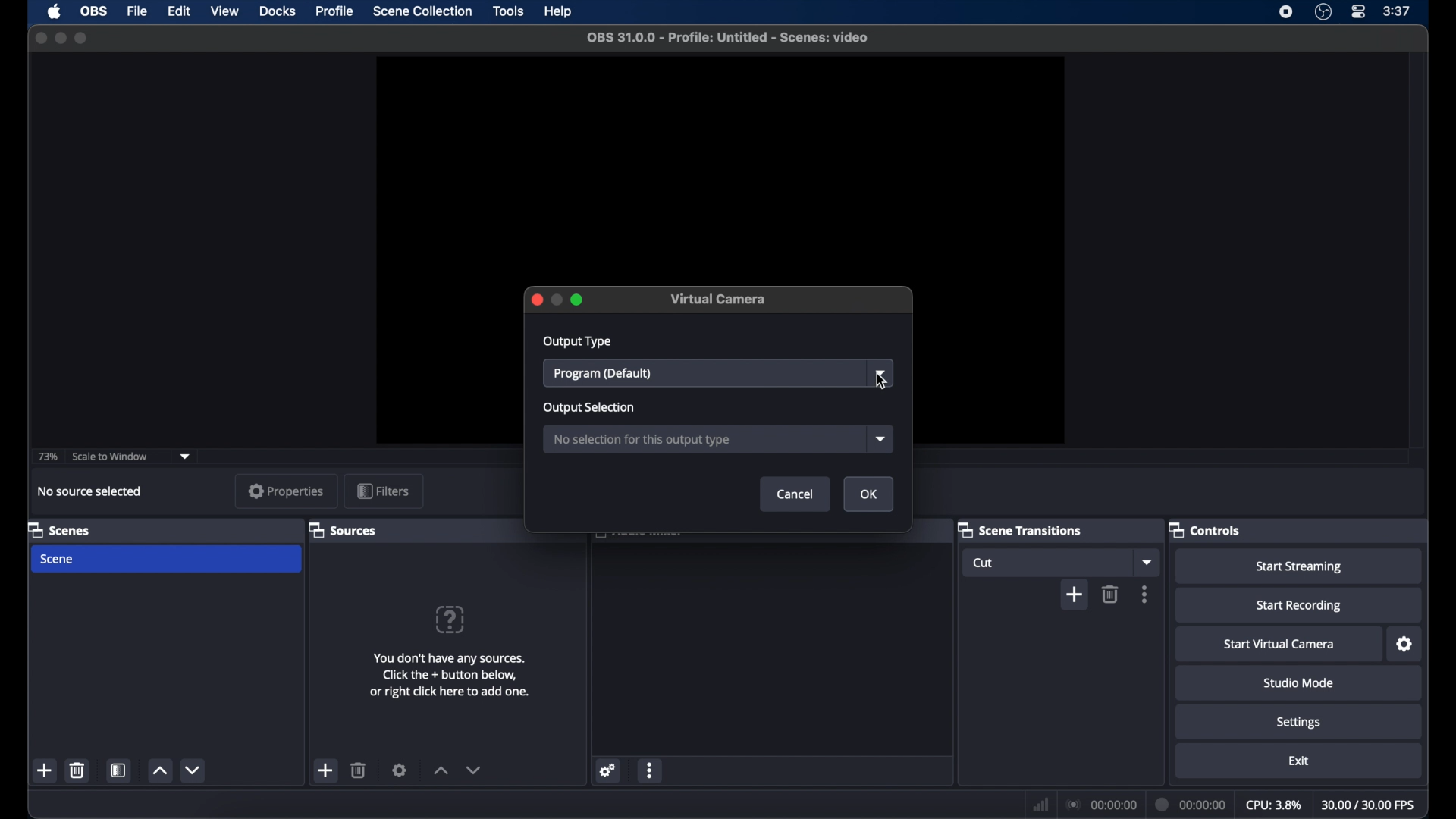 The image size is (1456, 819). Describe the element at coordinates (987, 563) in the screenshot. I see `cut` at that location.